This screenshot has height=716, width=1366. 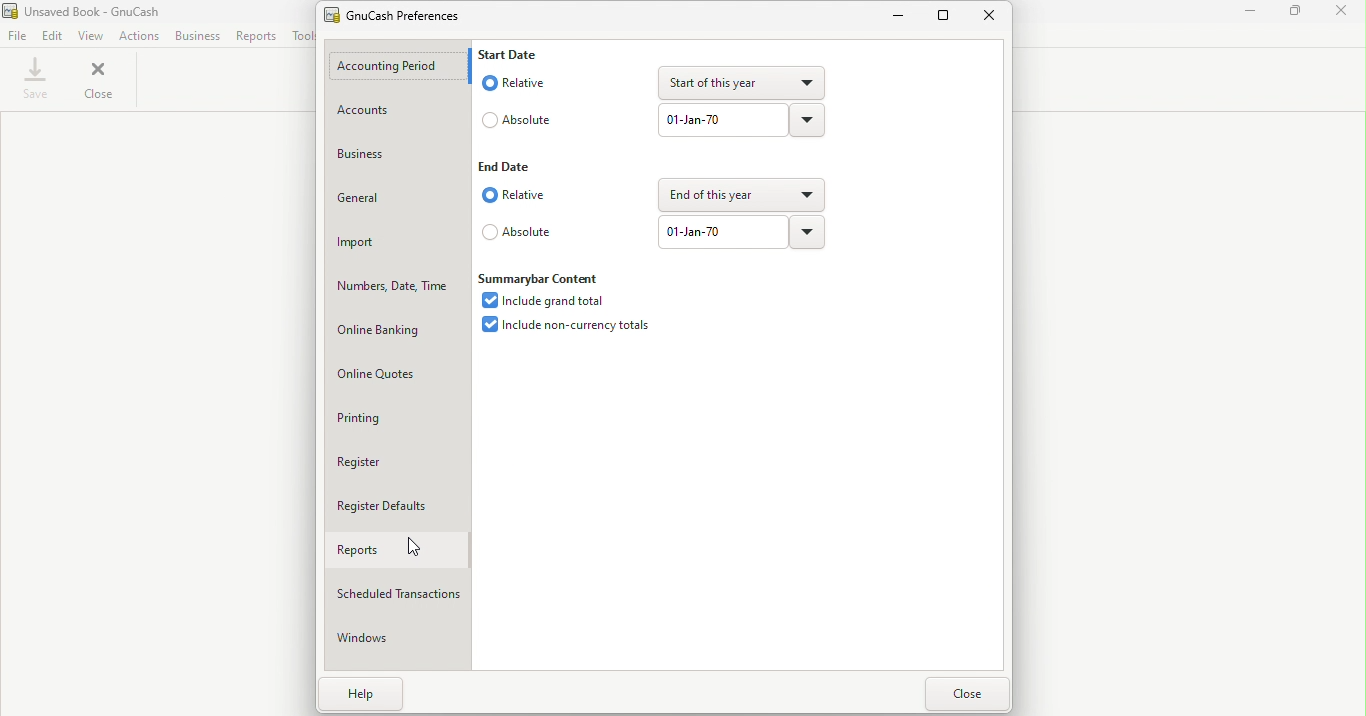 What do you see at coordinates (1301, 13) in the screenshot?
I see `Maximize` at bounding box center [1301, 13].